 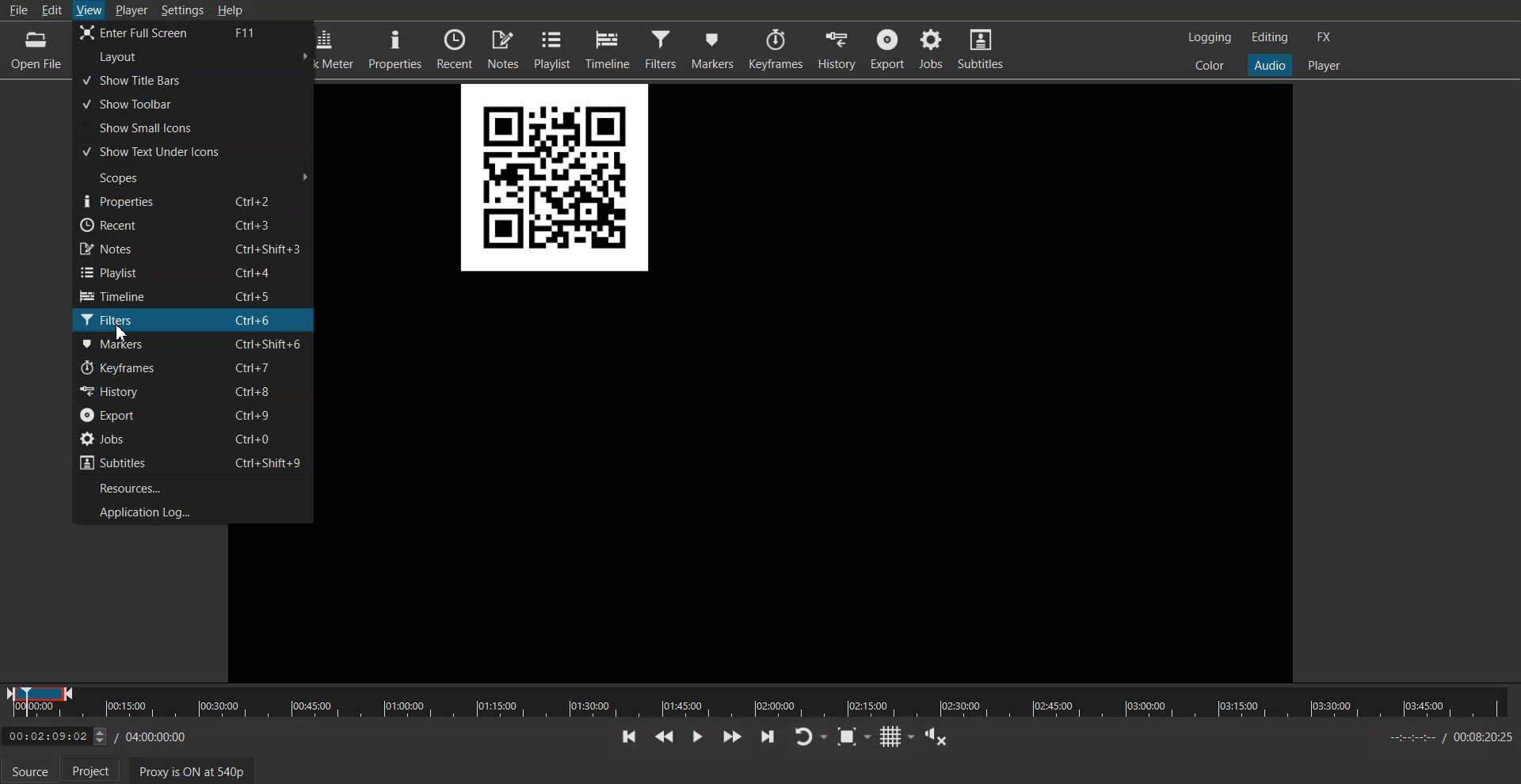 What do you see at coordinates (193, 320) in the screenshot?
I see `Filters` at bounding box center [193, 320].